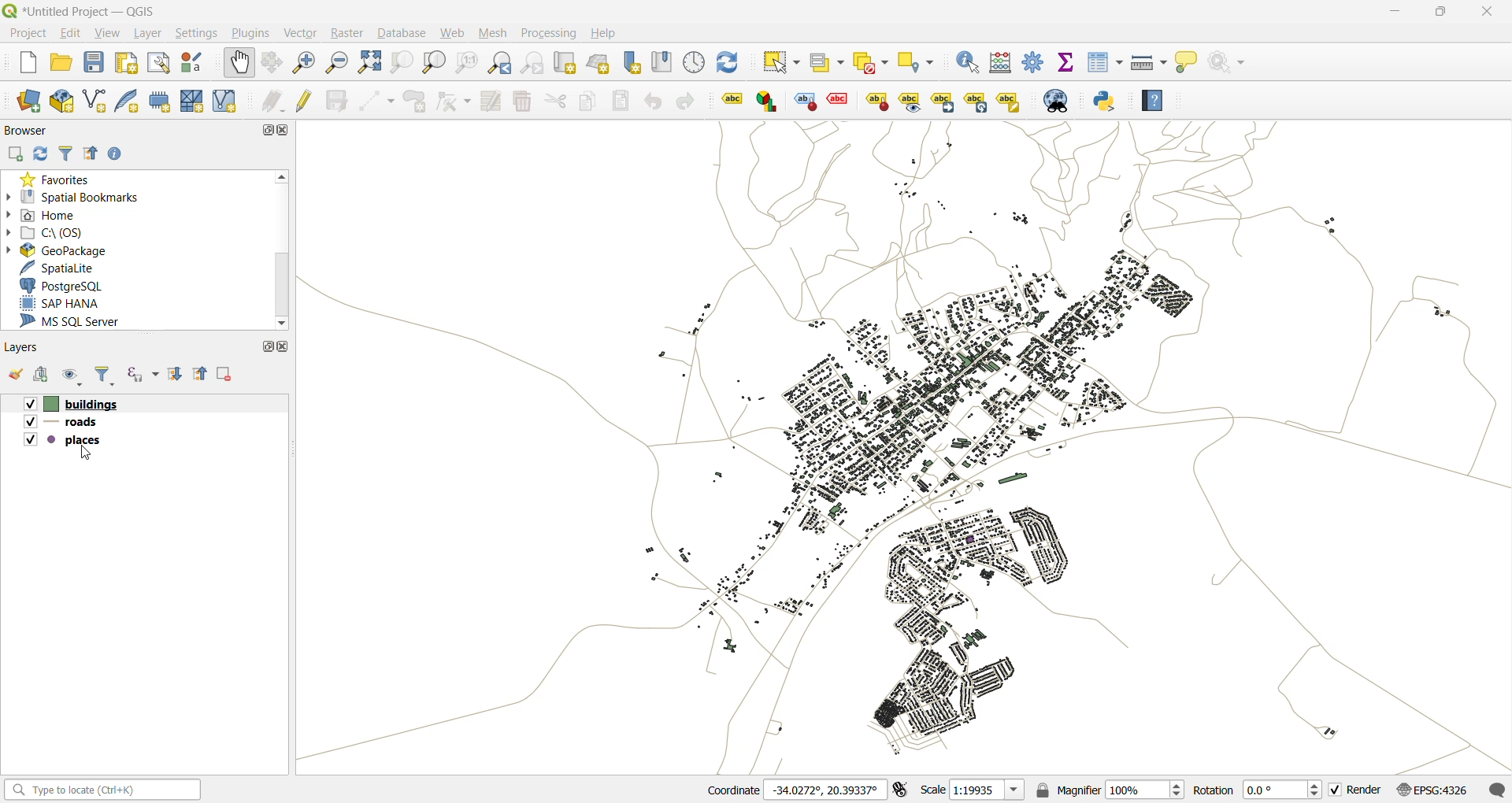 This screenshot has height=803, width=1512. I want to click on zoom selection, so click(402, 62).